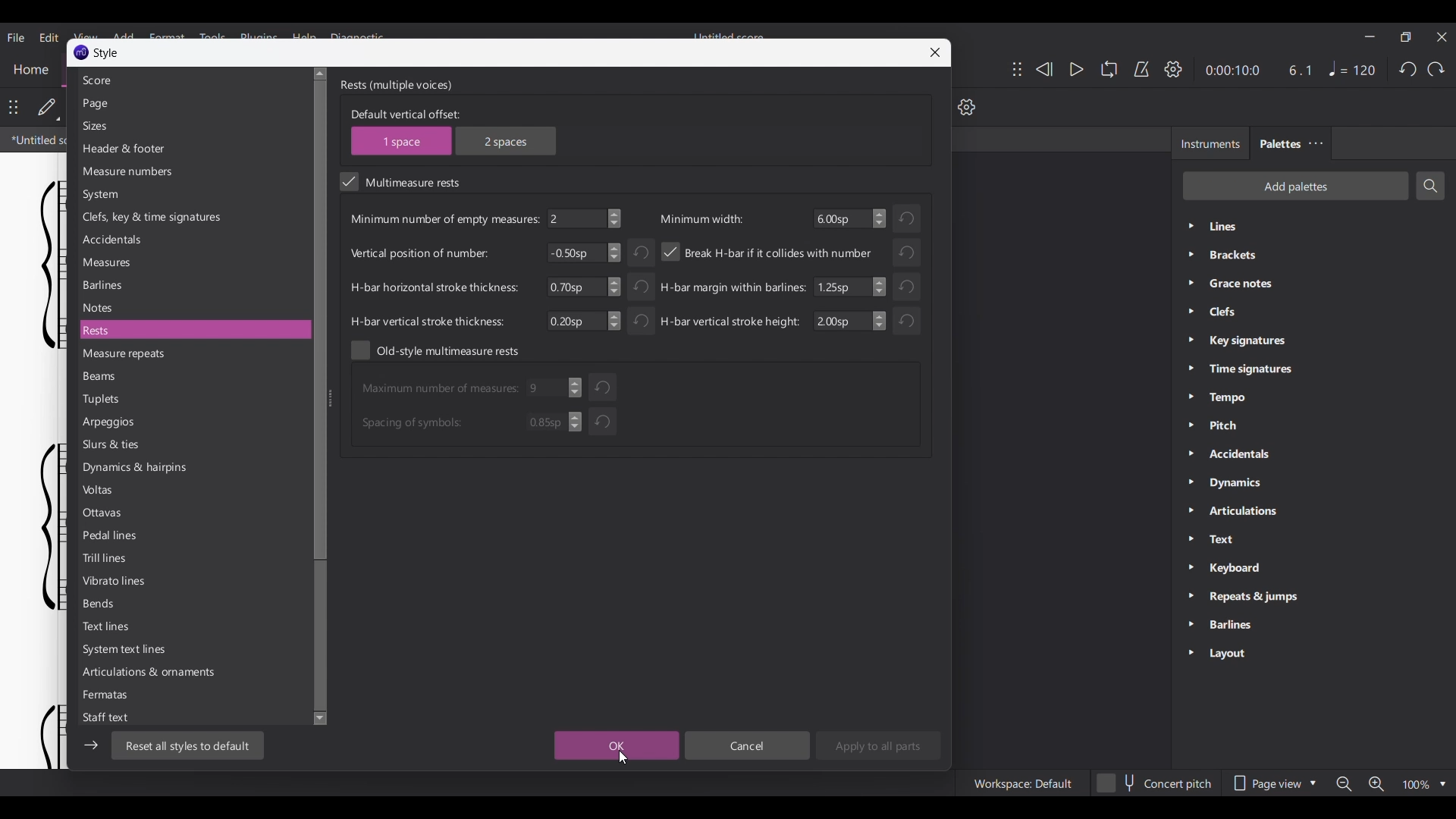  Describe the element at coordinates (349, 181) in the screenshot. I see `Toggle on for multimeasure rests` at that location.